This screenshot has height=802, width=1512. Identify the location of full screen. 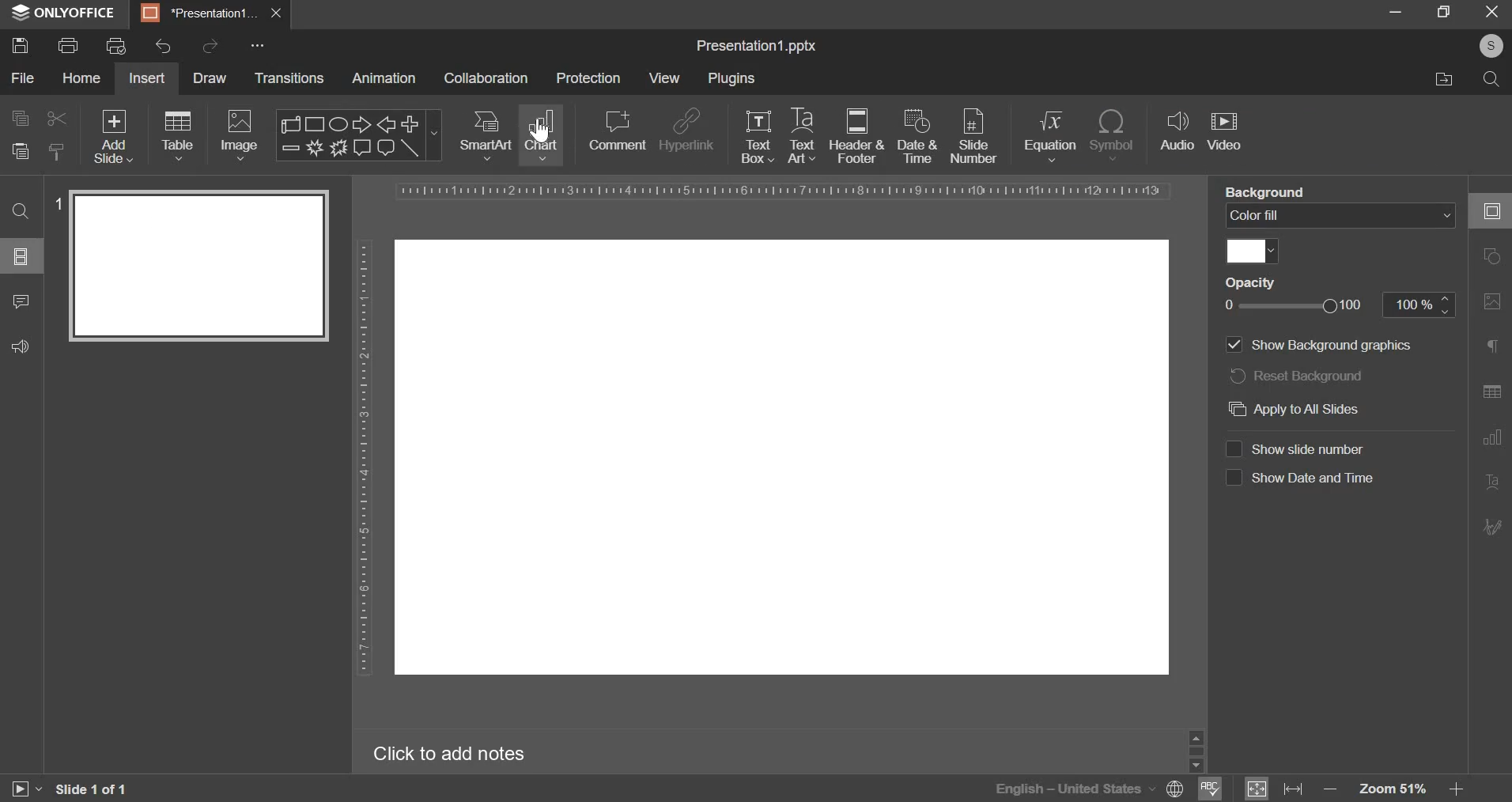
(1443, 11).